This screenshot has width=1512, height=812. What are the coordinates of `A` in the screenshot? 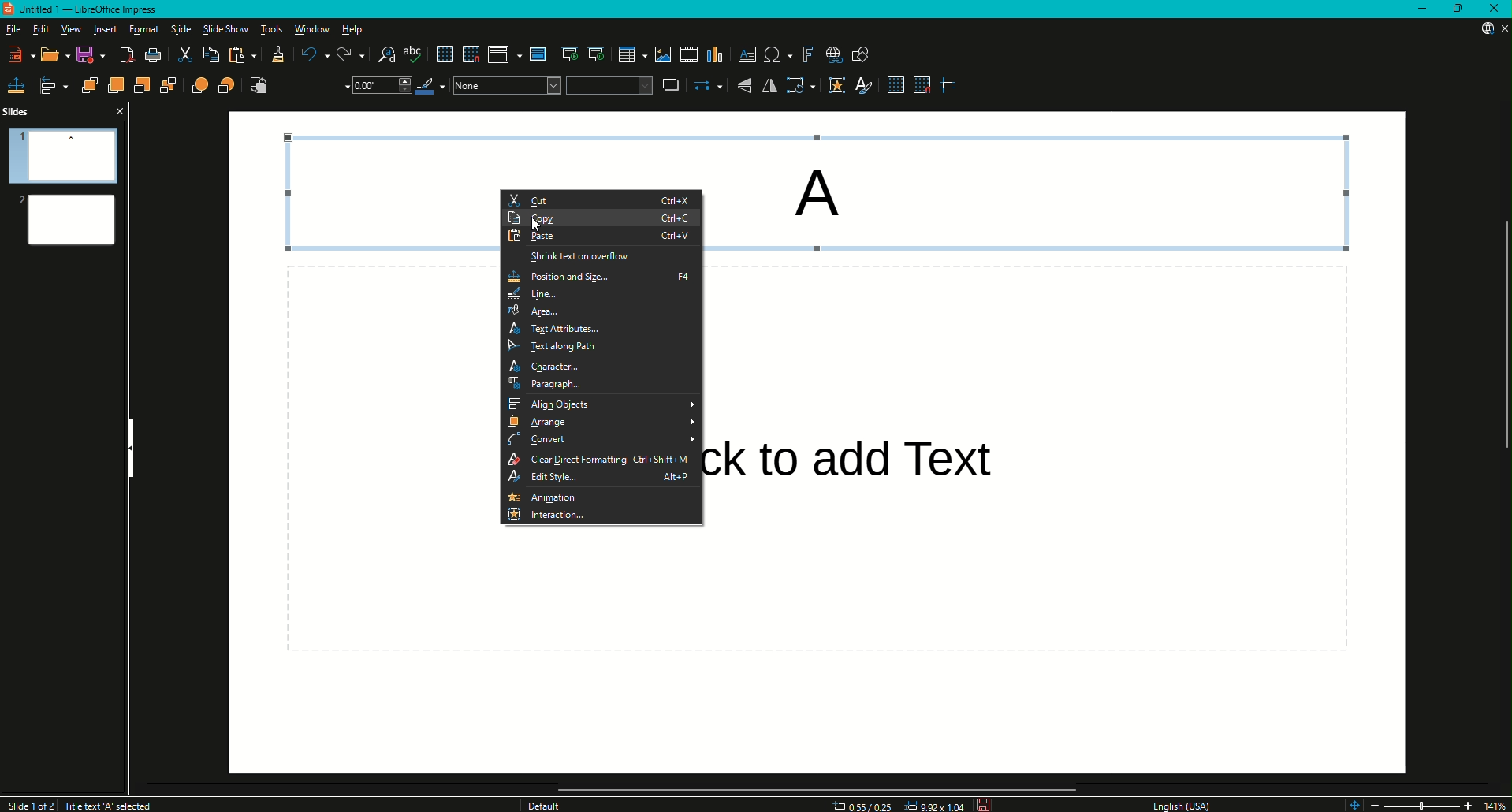 It's located at (810, 189).